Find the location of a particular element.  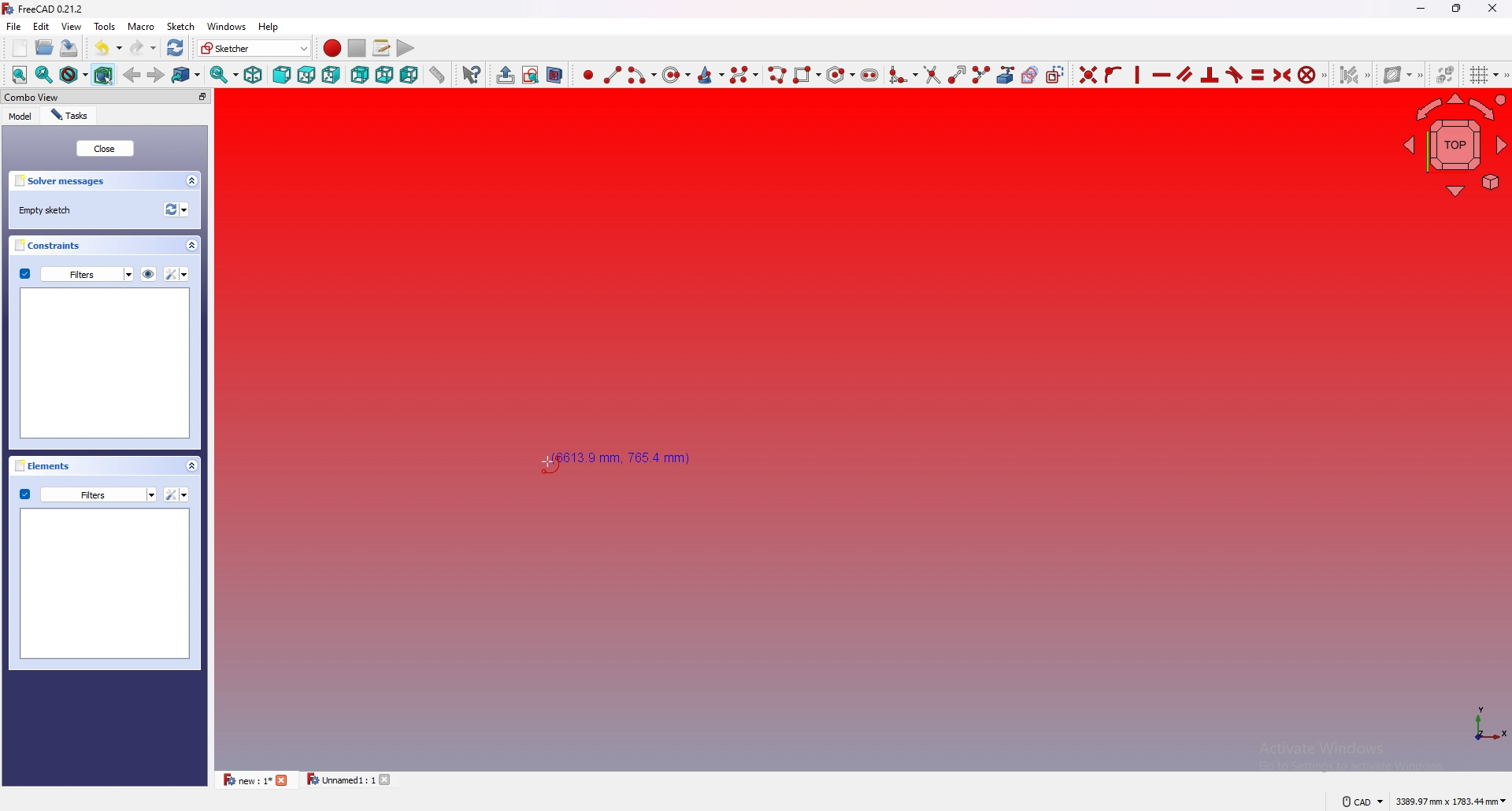

right is located at coordinates (332, 75).